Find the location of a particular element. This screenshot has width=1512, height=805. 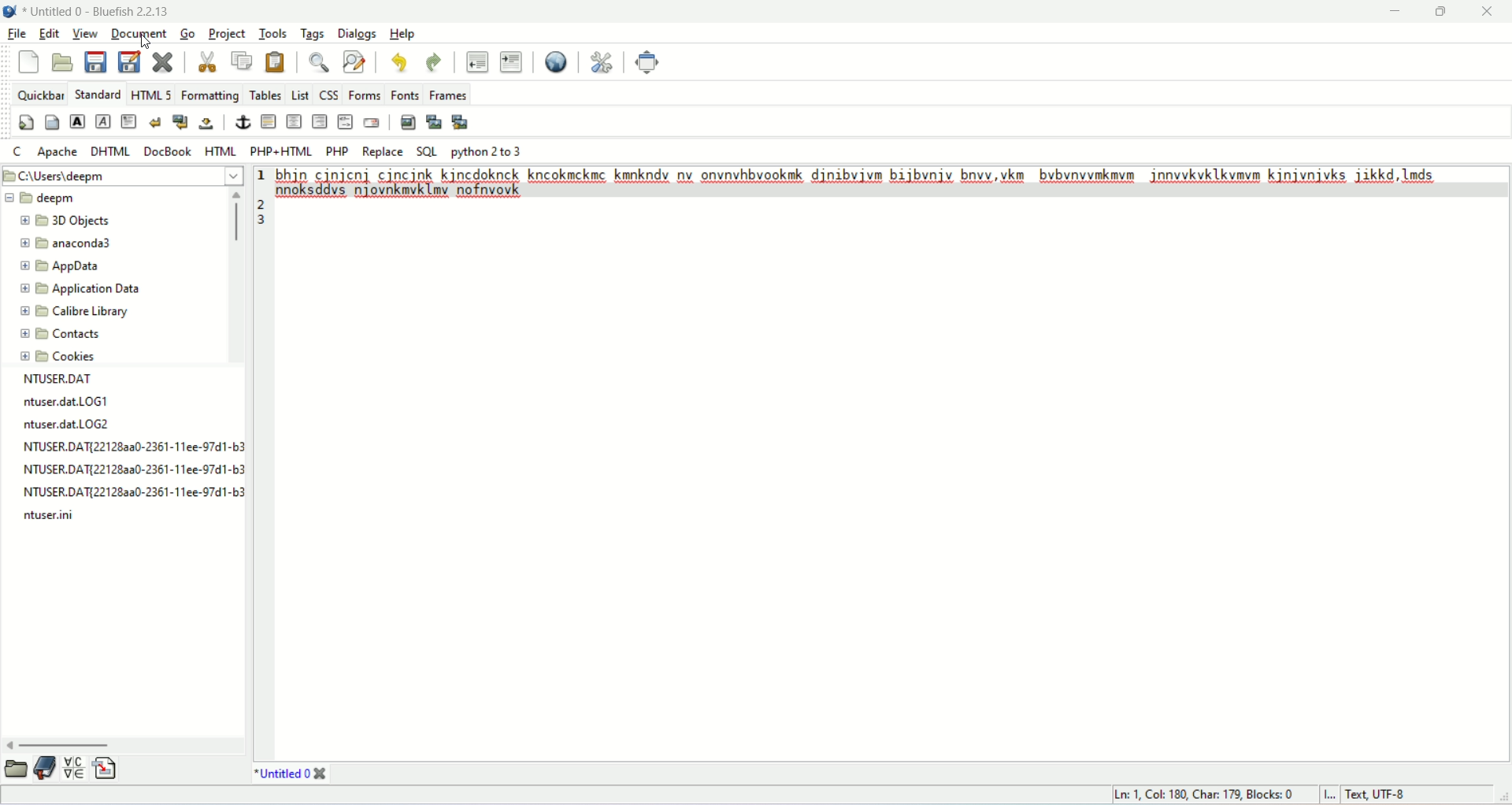

emphasize is located at coordinates (105, 121).